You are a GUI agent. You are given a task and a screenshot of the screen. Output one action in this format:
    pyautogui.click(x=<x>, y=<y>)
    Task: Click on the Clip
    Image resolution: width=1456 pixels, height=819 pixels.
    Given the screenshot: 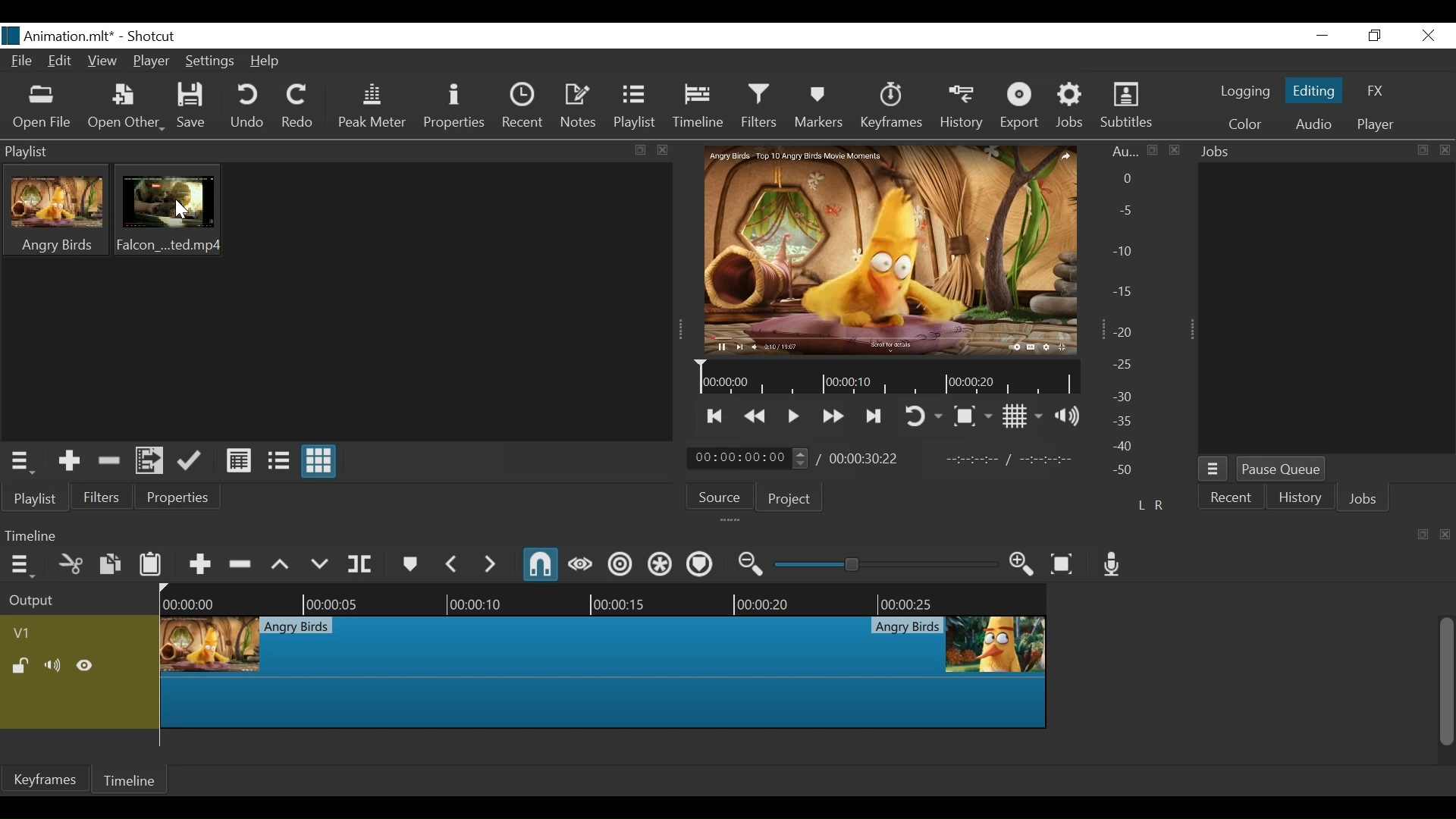 What is the action you would take?
    pyautogui.click(x=171, y=210)
    